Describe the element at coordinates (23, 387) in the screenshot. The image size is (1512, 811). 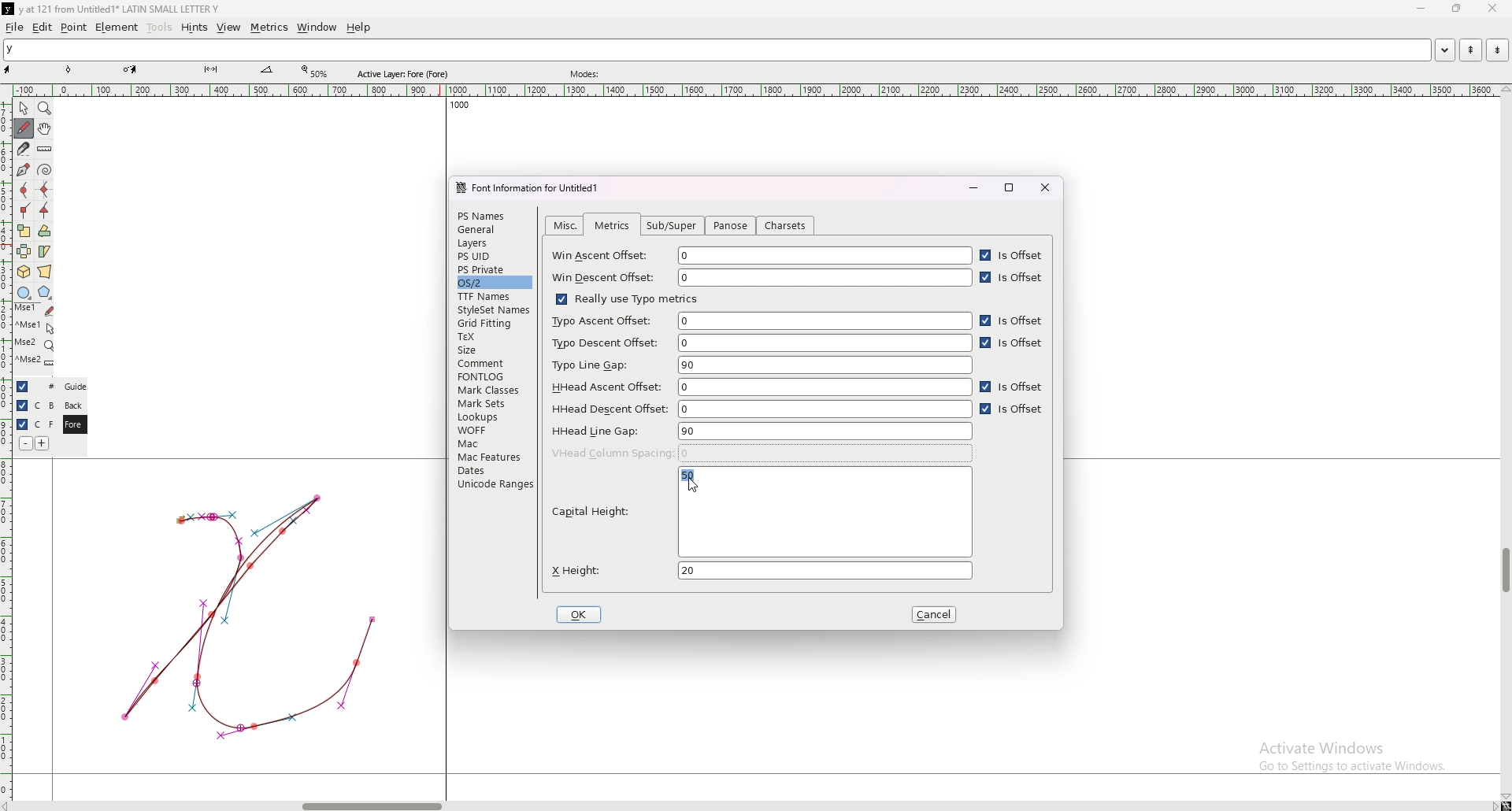
I see `hide layer` at that location.